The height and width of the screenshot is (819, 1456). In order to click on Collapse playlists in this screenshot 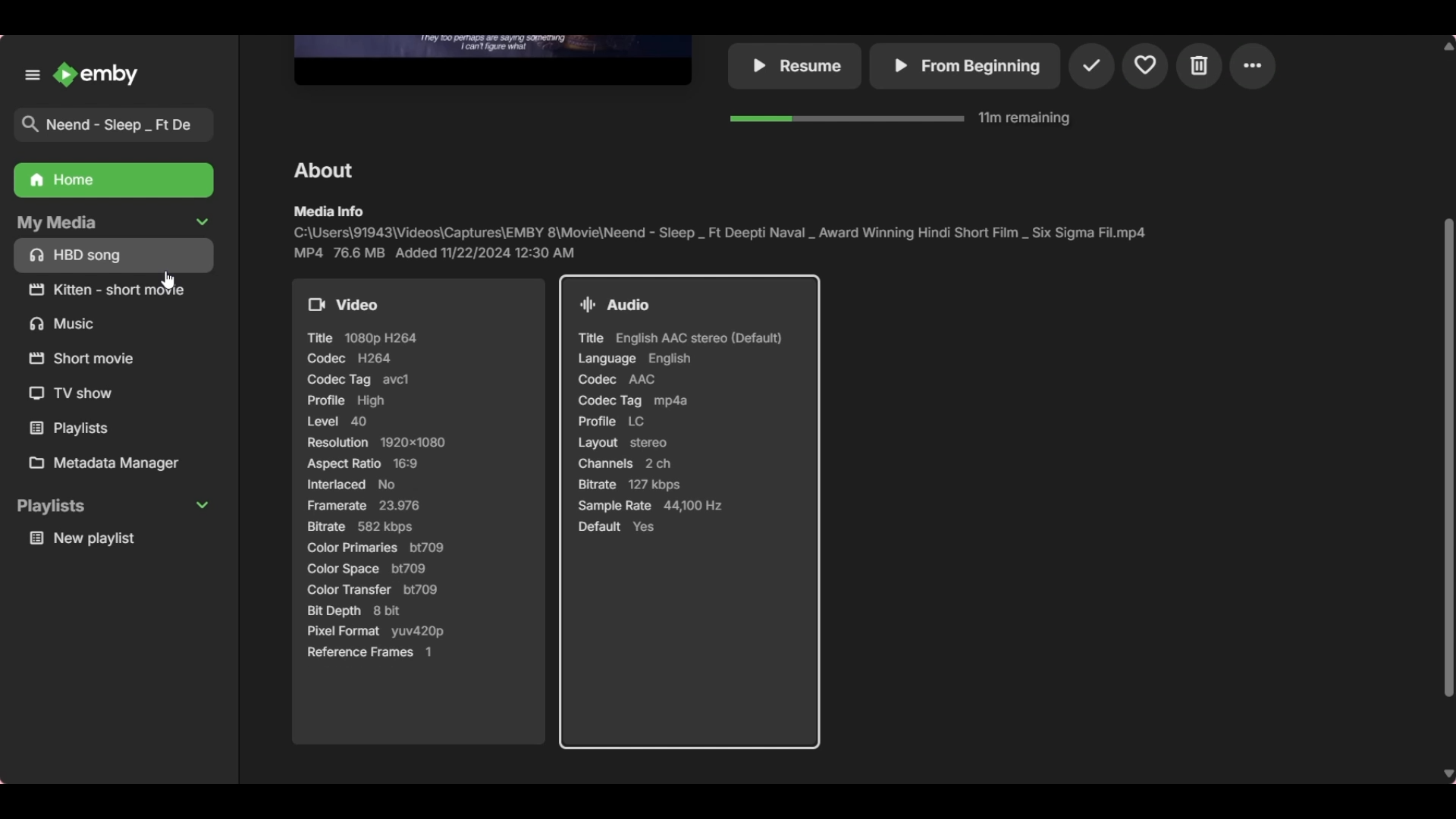, I will do `click(113, 507)`.